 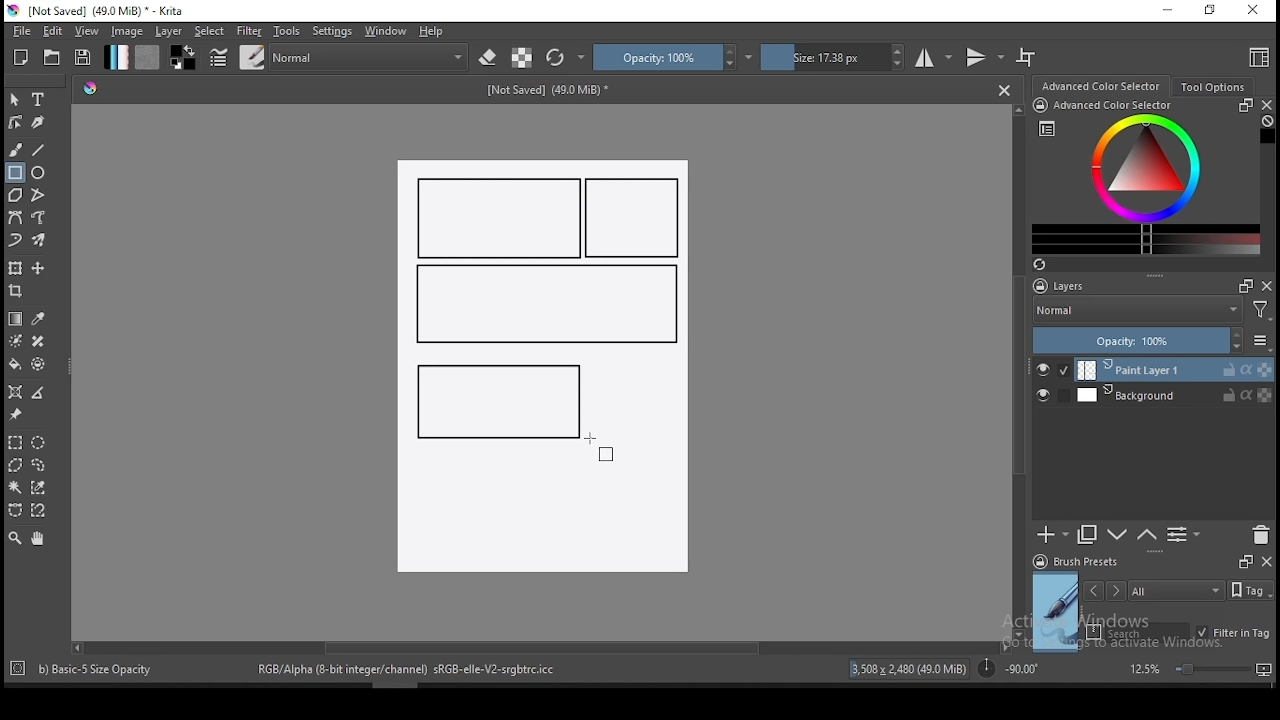 What do you see at coordinates (1266, 560) in the screenshot?
I see `close docker` at bounding box center [1266, 560].